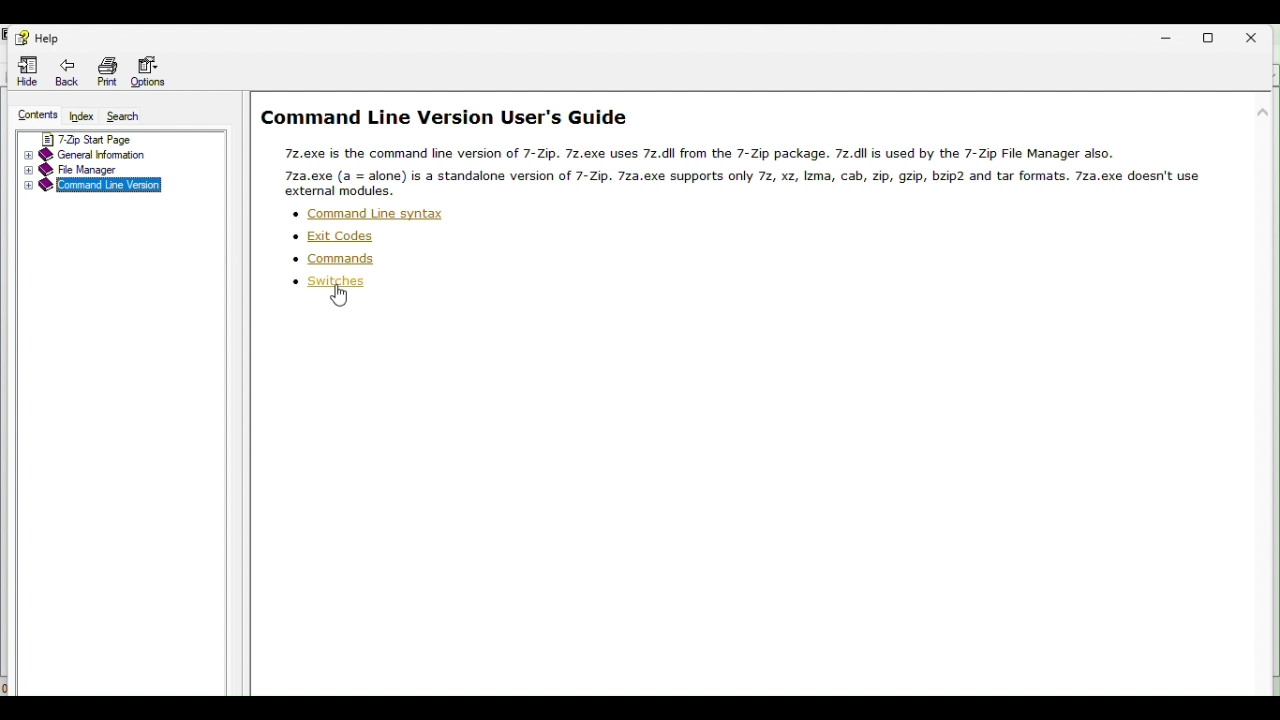 The image size is (1280, 720). Describe the element at coordinates (124, 117) in the screenshot. I see `Search` at that location.